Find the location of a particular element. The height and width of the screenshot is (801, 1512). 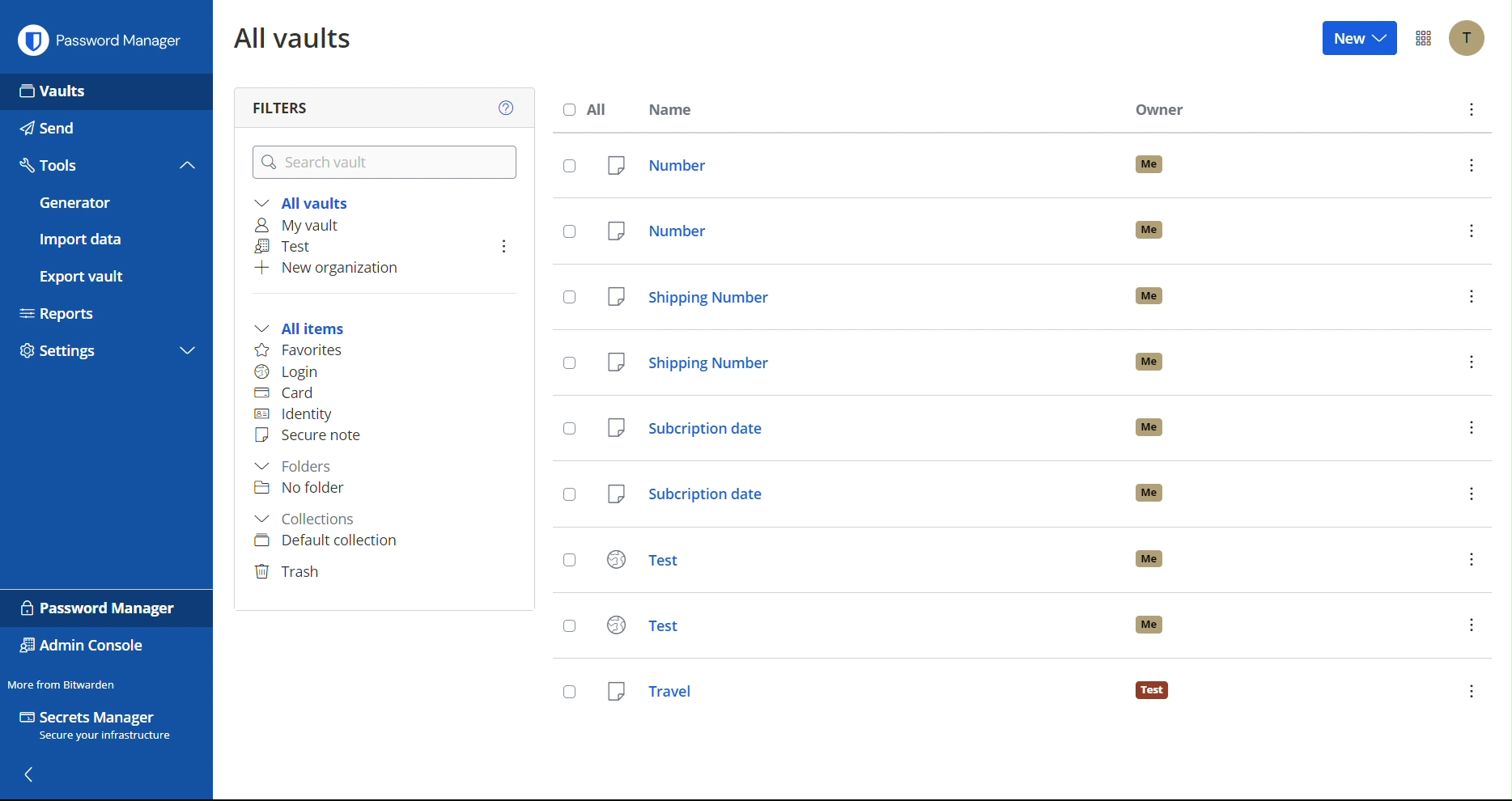

Default collection is located at coordinates (329, 541).